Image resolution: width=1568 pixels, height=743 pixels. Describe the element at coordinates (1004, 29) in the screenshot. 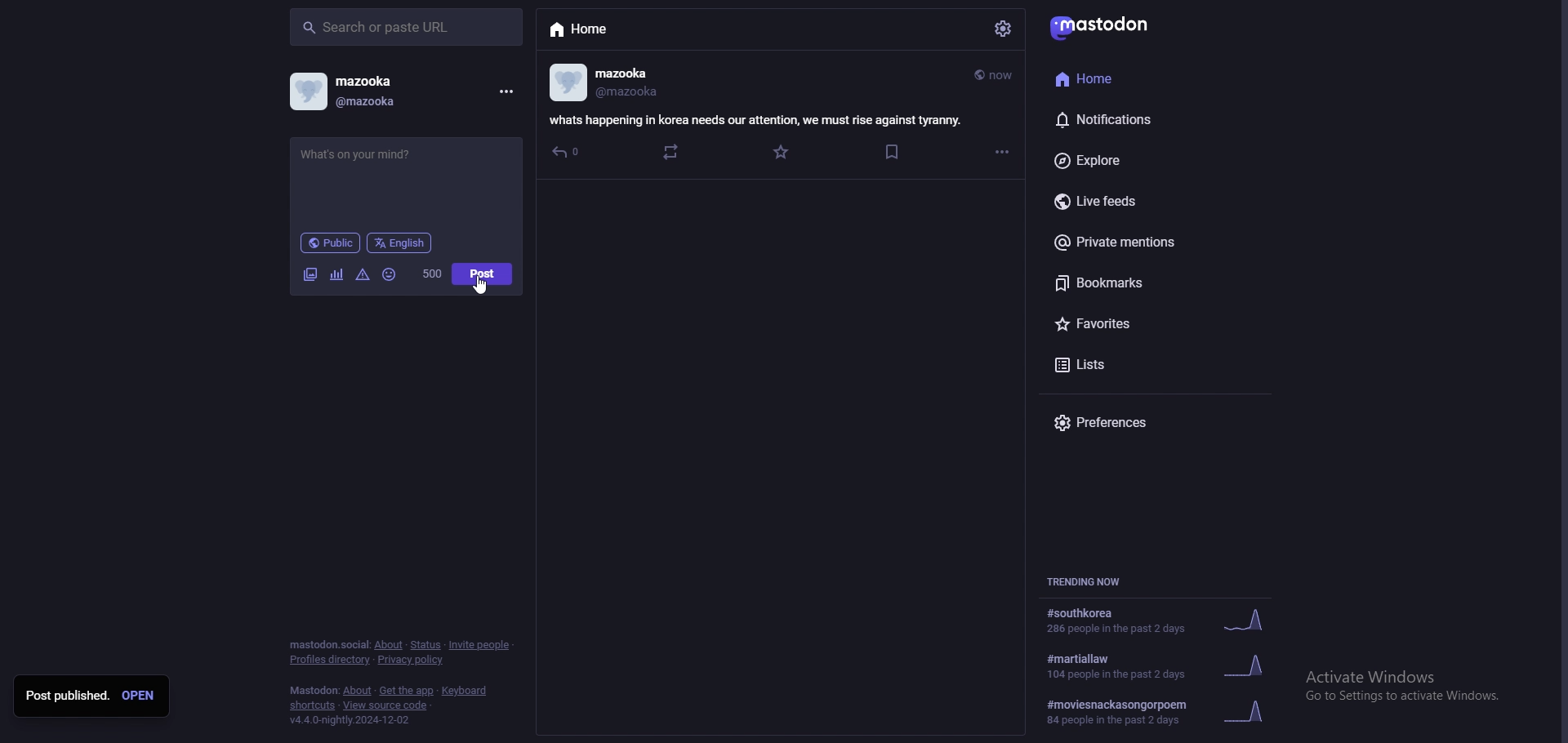

I see `settings` at that location.